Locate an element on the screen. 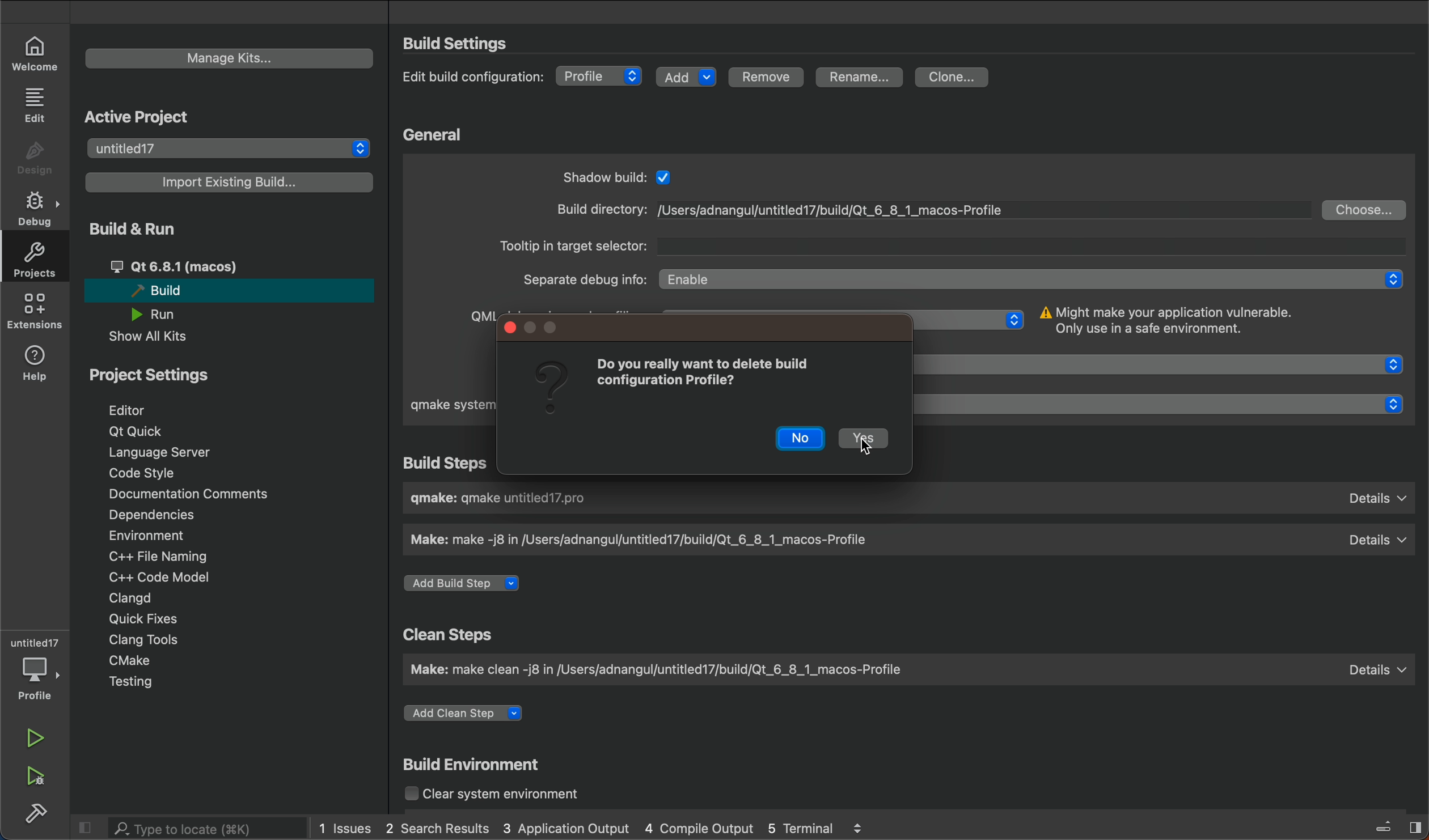 Image resolution: width=1429 pixels, height=840 pixels. general is located at coordinates (434, 133).